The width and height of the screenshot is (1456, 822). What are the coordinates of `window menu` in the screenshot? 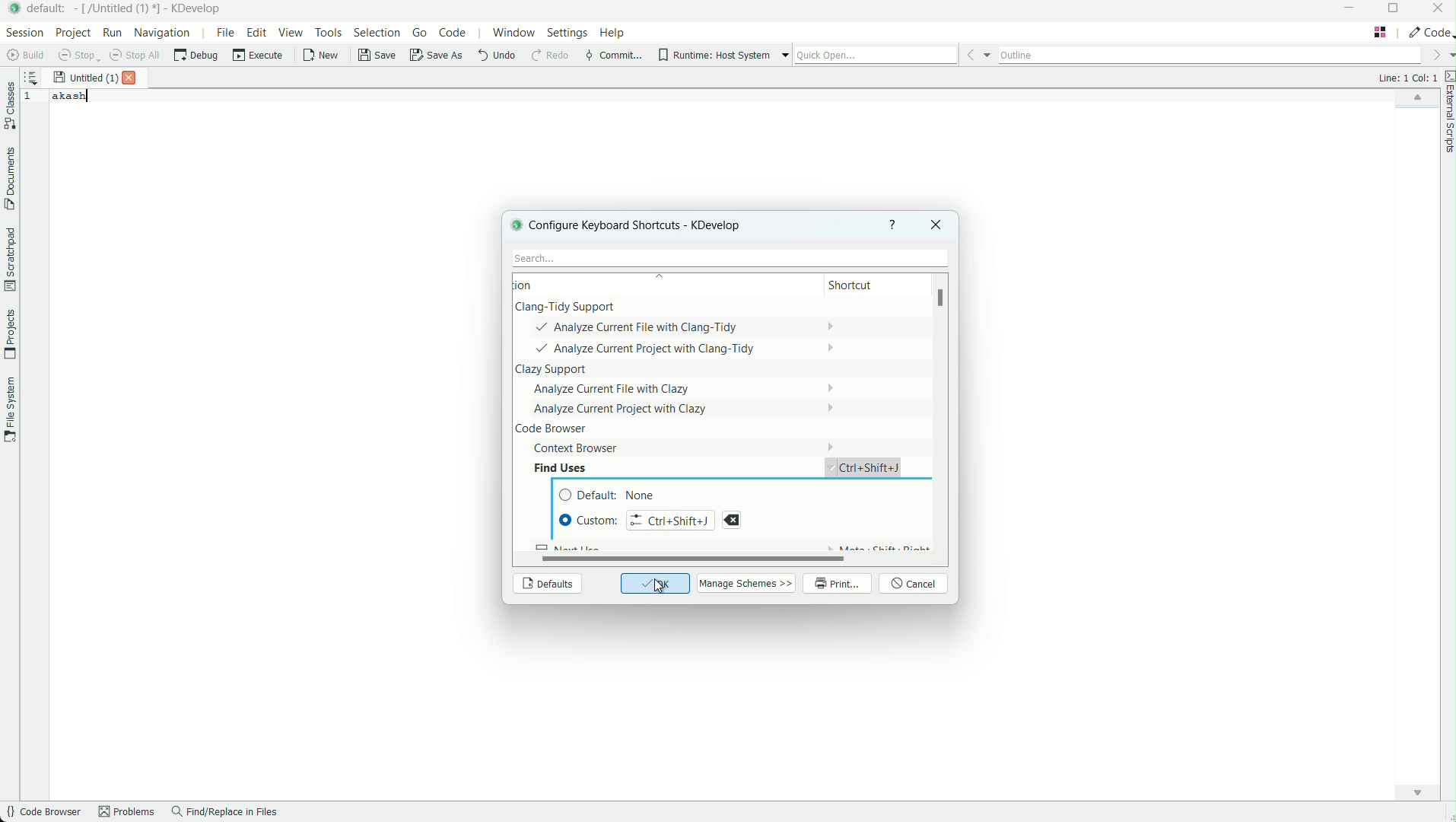 It's located at (513, 35).